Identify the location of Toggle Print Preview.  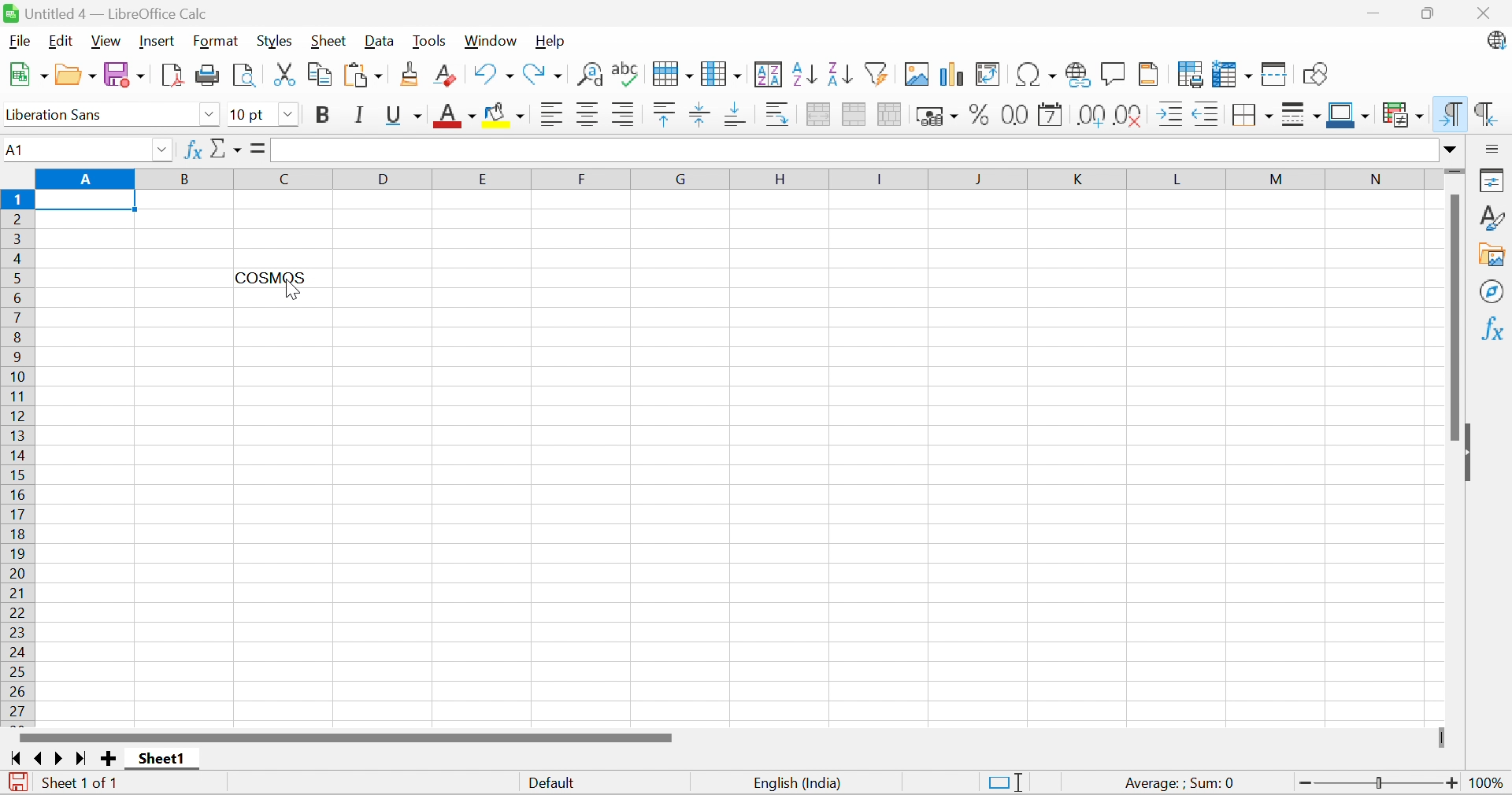
(245, 74).